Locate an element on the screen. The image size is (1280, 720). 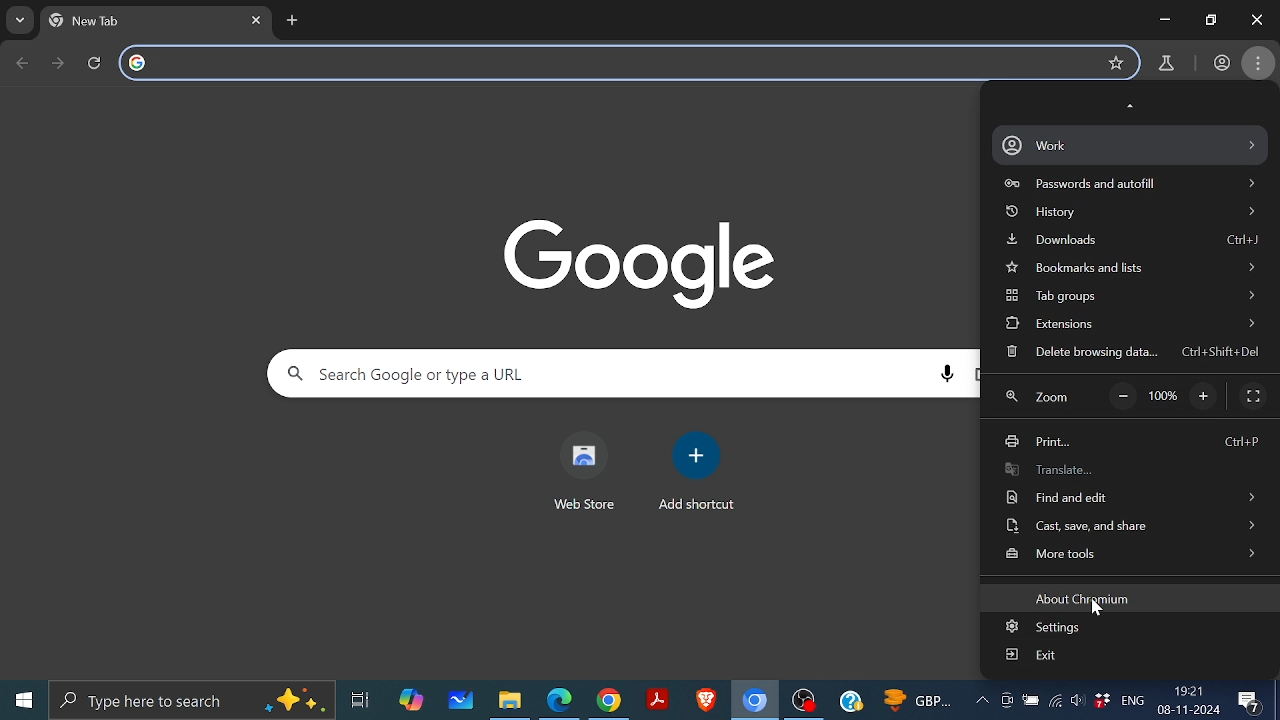
Speaker/Headphones is located at coordinates (1077, 701).